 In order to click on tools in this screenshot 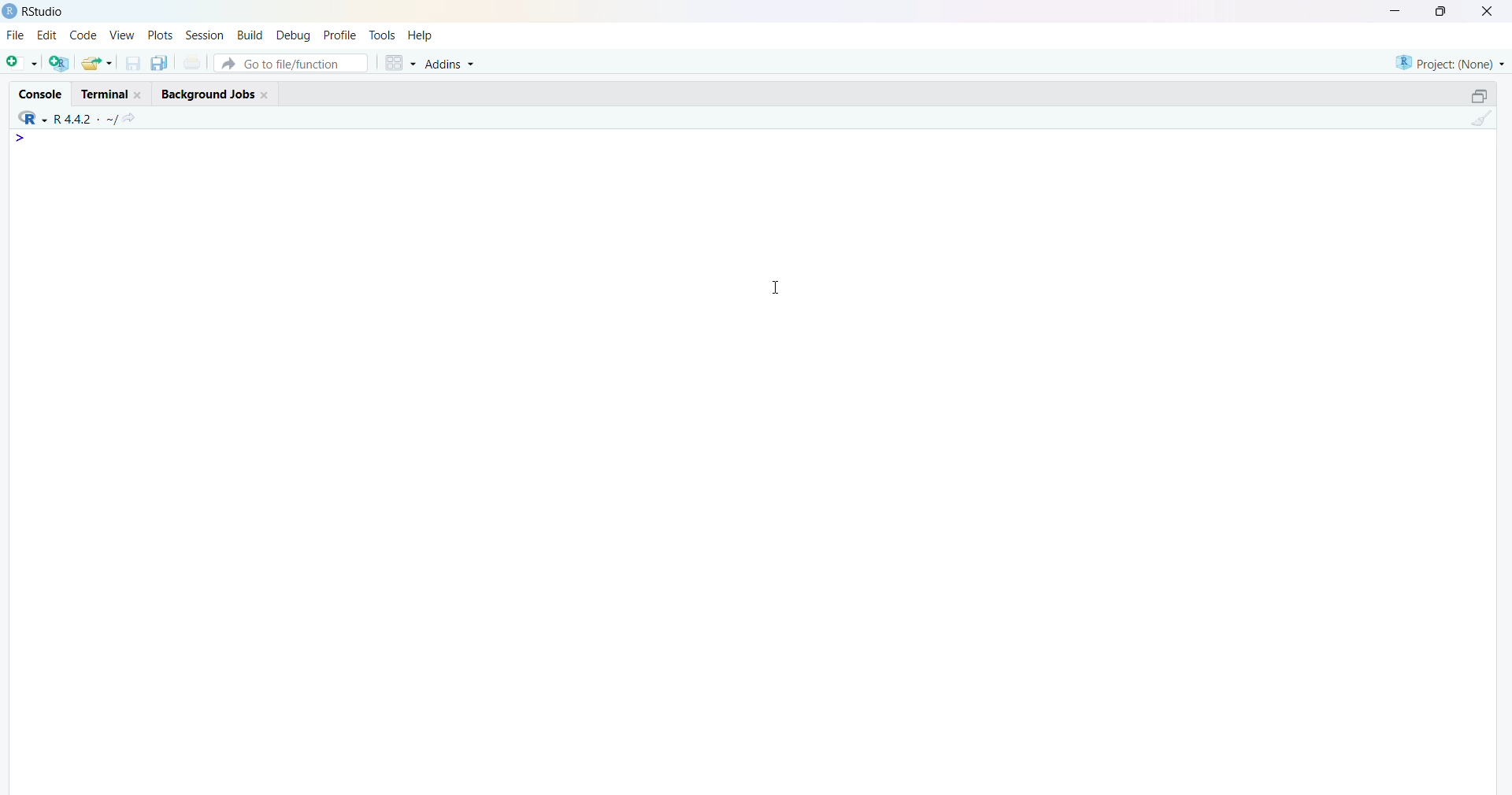, I will do `click(383, 35)`.